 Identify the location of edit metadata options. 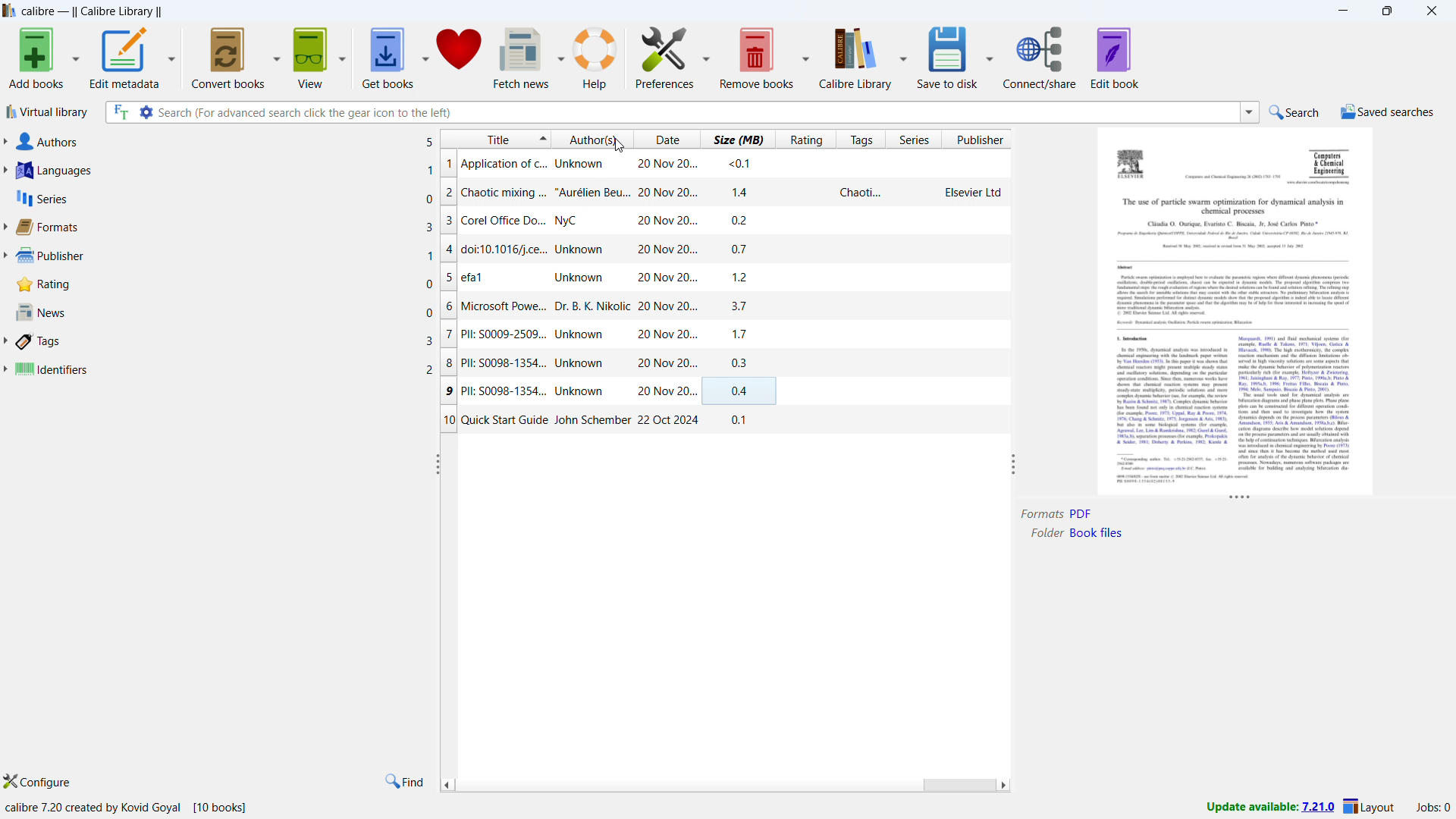
(171, 59).